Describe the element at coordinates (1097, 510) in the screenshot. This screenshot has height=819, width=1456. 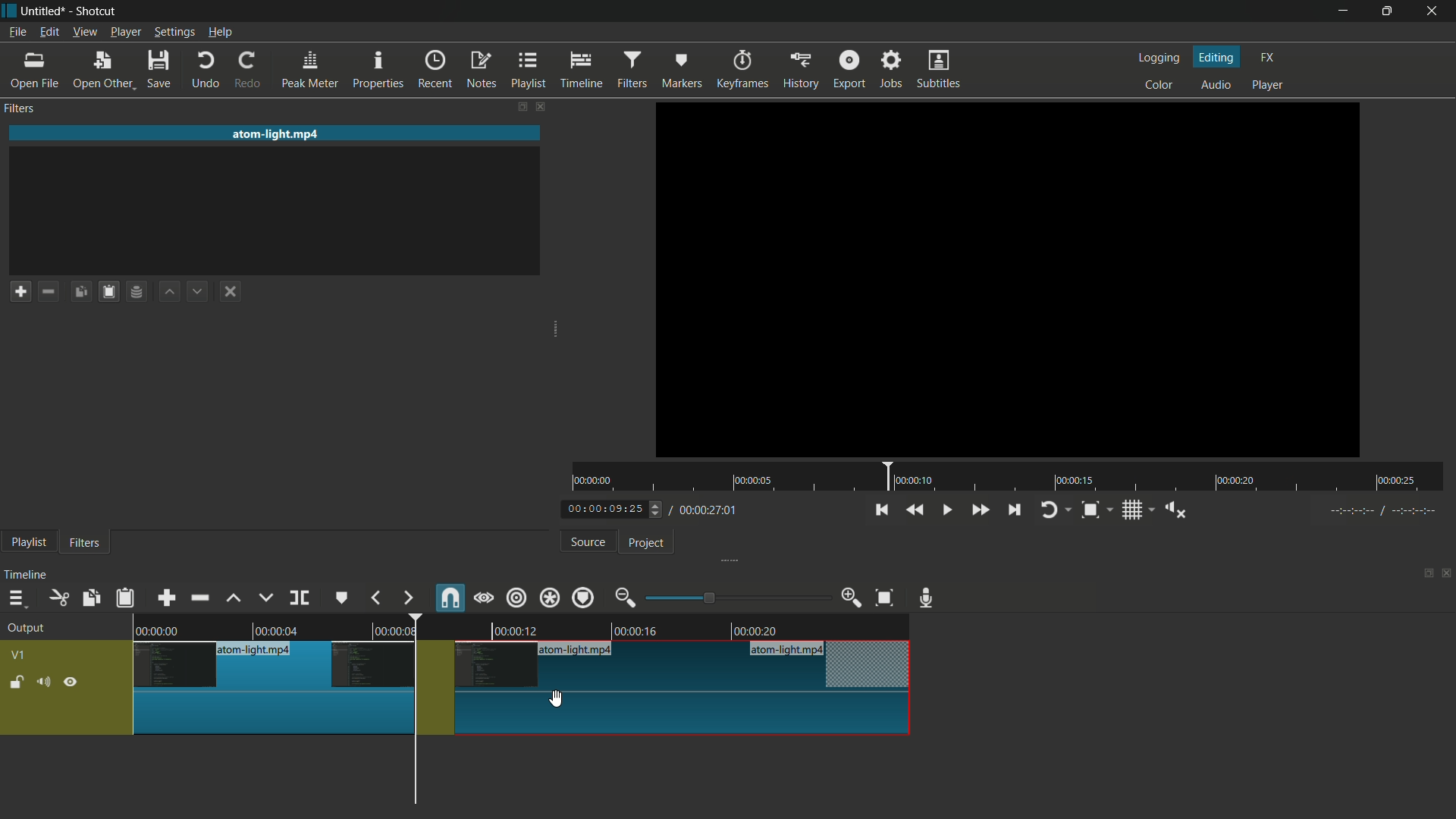
I see `zoom timeline to fit` at that location.